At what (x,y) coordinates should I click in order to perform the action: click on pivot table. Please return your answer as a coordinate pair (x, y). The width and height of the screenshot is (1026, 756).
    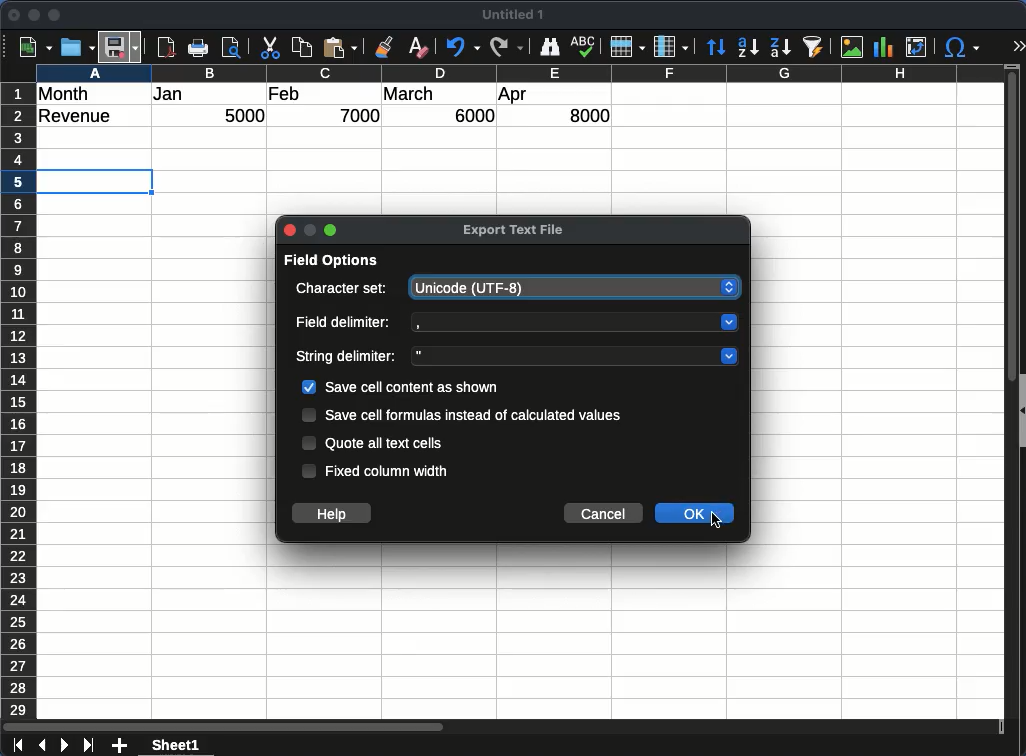
    Looking at the image, I should click on (915, 48).